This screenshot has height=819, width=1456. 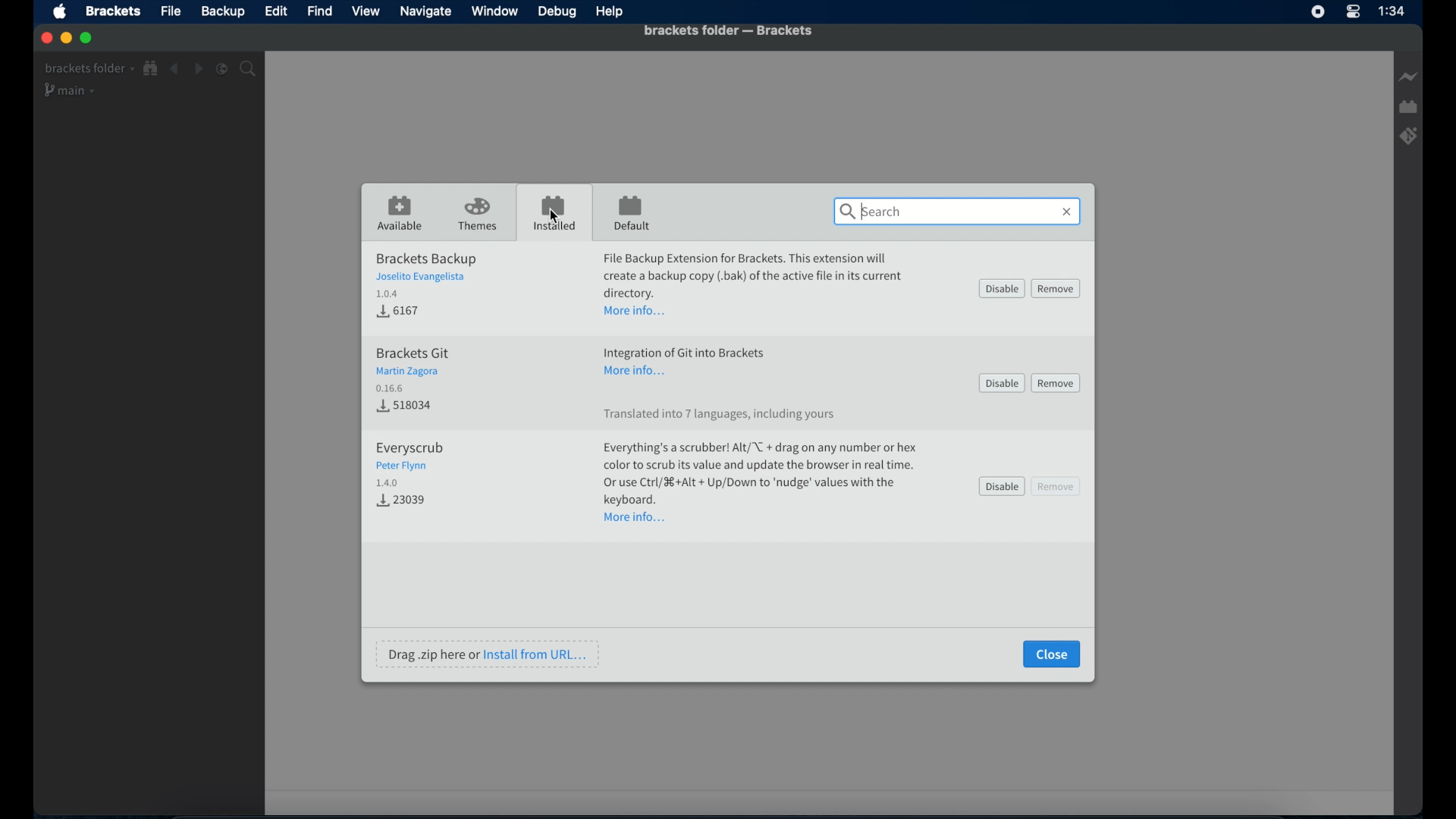 What do you see at coordinates (752, 284) in the screenshot?
I see `extension info` at bounding box center [752, 284].